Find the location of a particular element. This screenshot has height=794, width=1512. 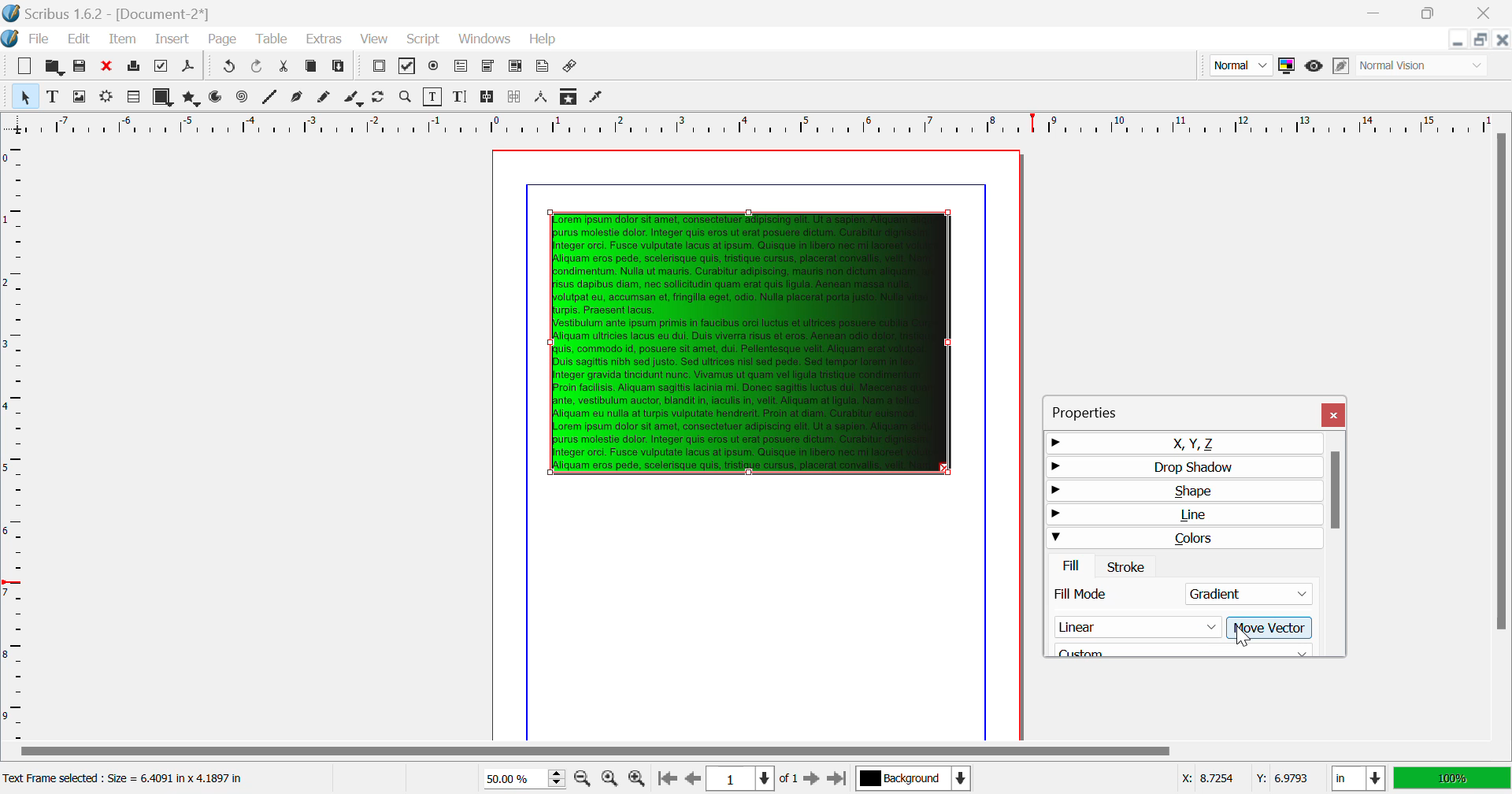

Preview Mode is located at coordinates (1240, 65).